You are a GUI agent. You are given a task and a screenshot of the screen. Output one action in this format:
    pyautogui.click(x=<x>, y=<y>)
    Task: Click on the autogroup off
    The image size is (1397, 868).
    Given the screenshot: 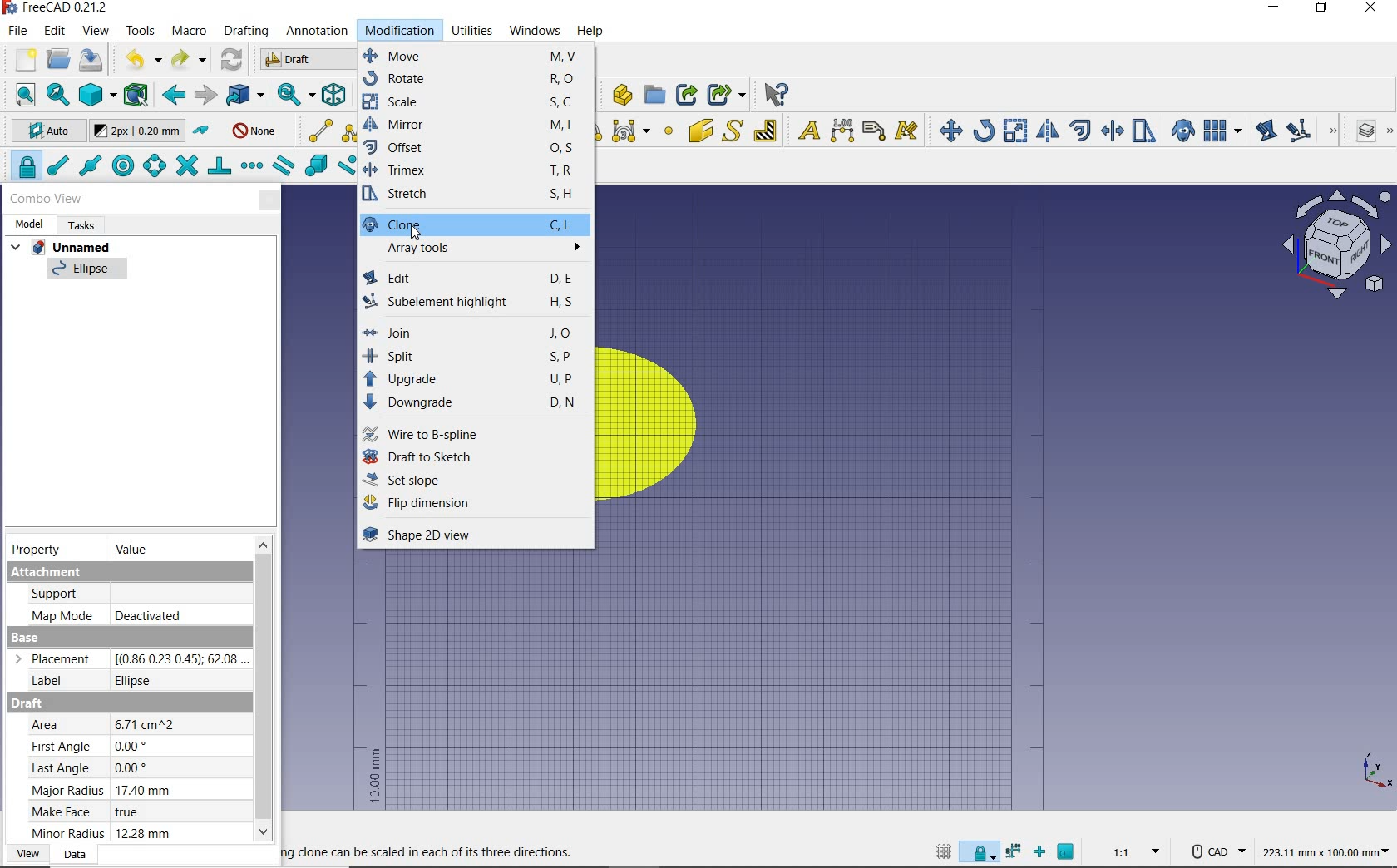 What is the action you would take?
    pyautogui.click(x=257, y=130)
    